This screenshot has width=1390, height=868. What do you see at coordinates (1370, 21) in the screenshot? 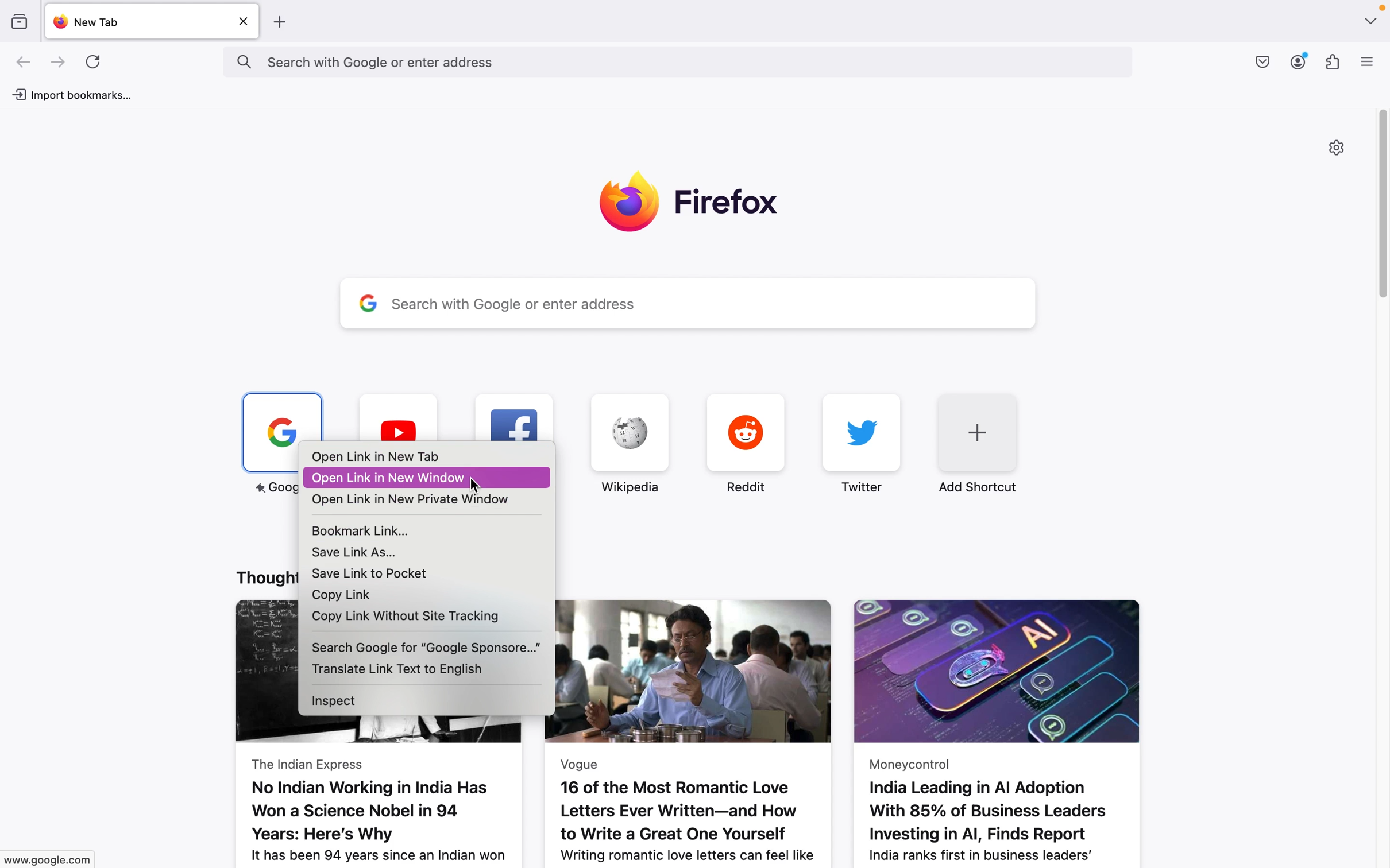
I see `window management` at bounding box center [1370, 21].